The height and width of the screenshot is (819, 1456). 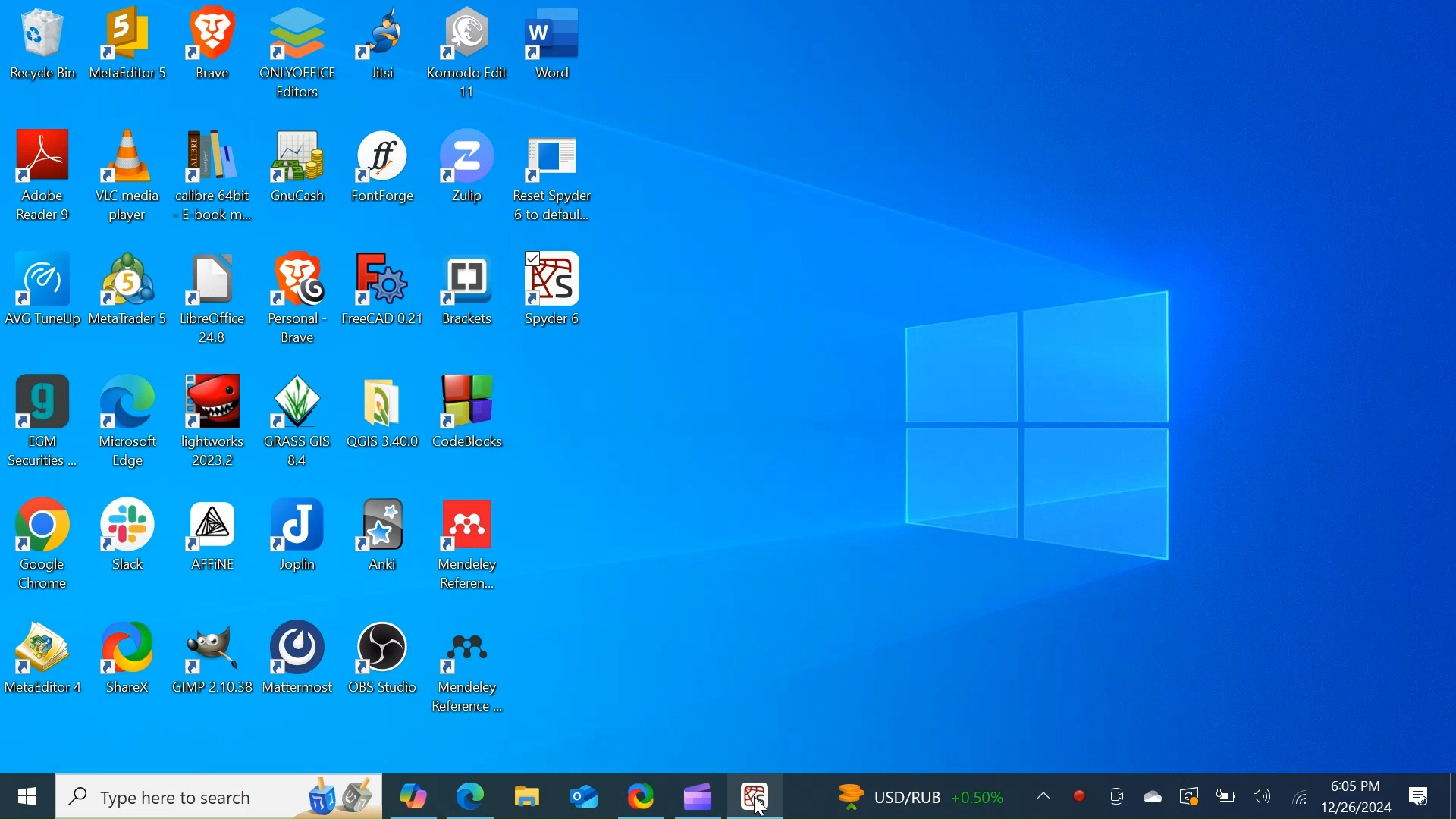 I want to click on Restart for updates, so click(x=1187, y=796).